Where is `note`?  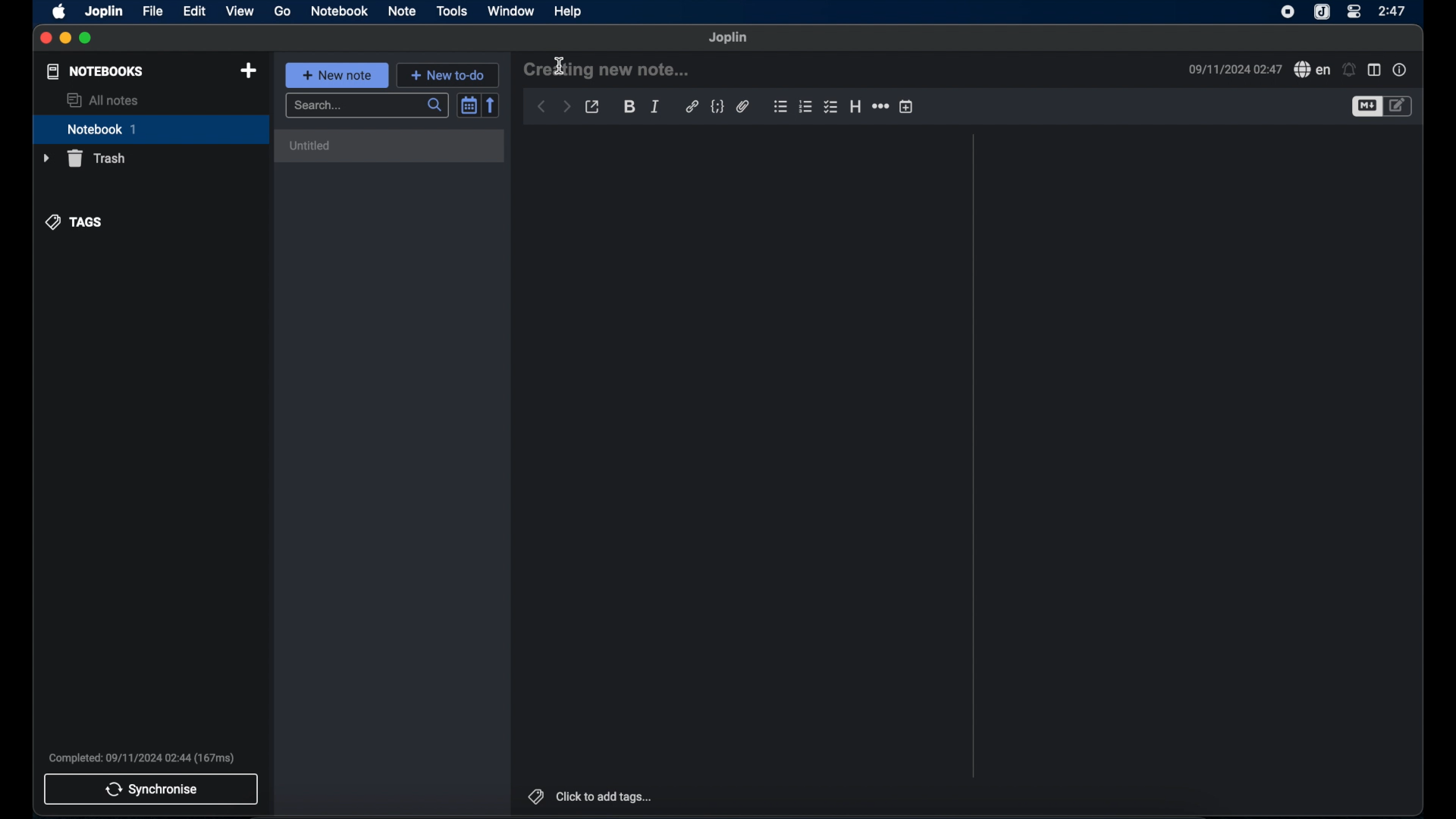 note is located at coordinates (401, 11).